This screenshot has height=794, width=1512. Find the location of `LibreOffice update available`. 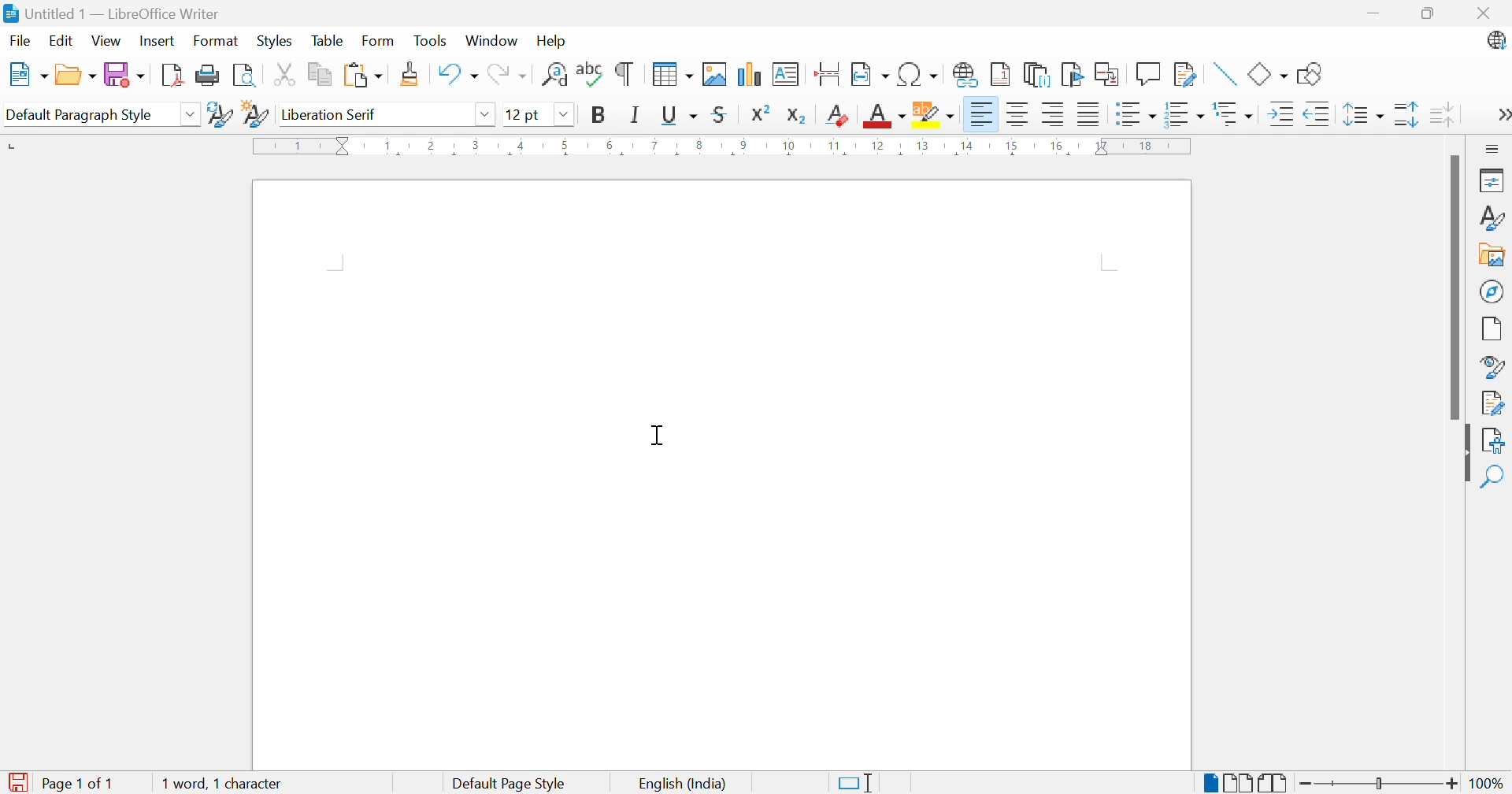

LibreOffice update available is located at coordinates (1491, 43).